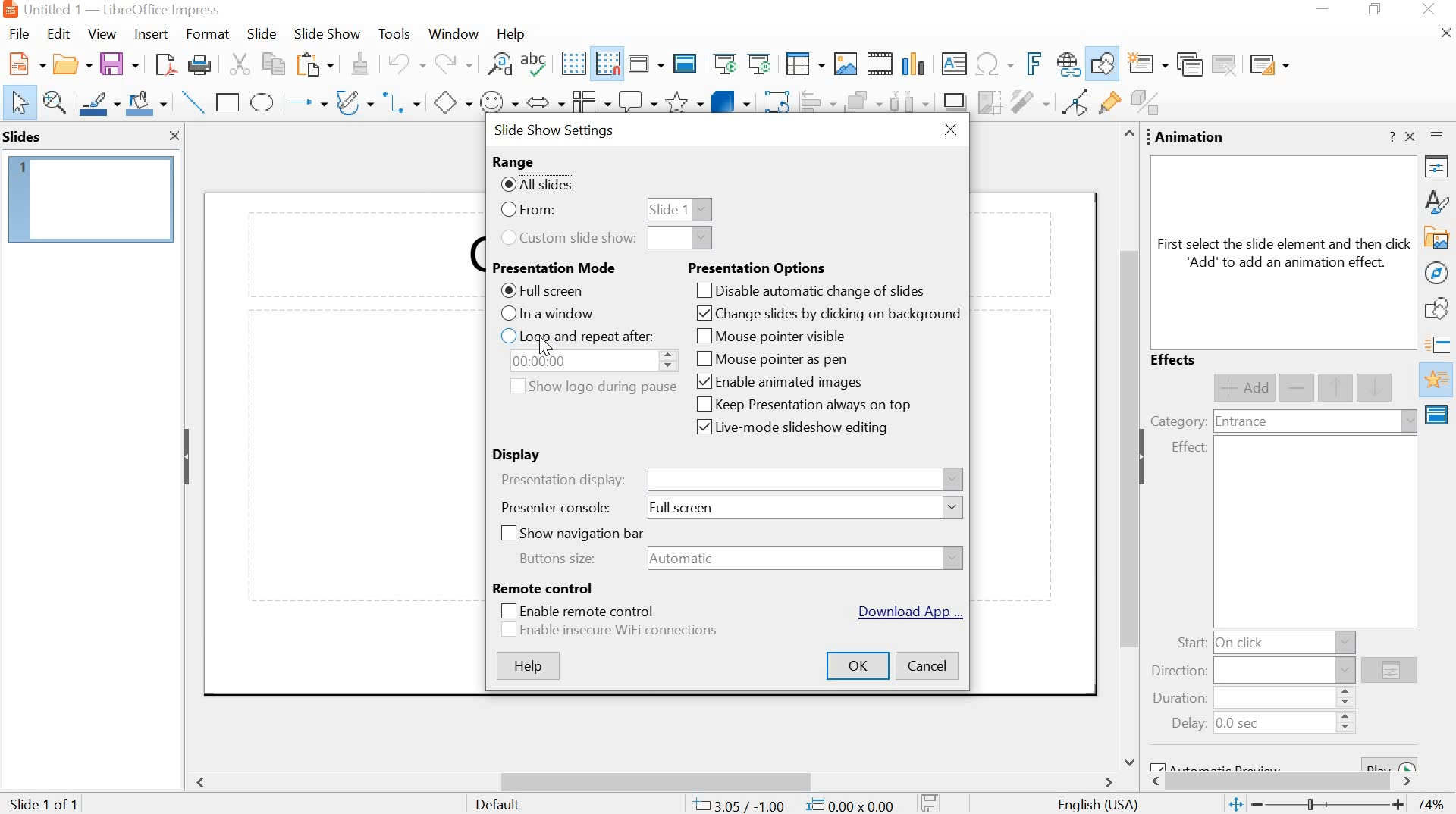  I want to click on snap to grid, so click(607, 64).